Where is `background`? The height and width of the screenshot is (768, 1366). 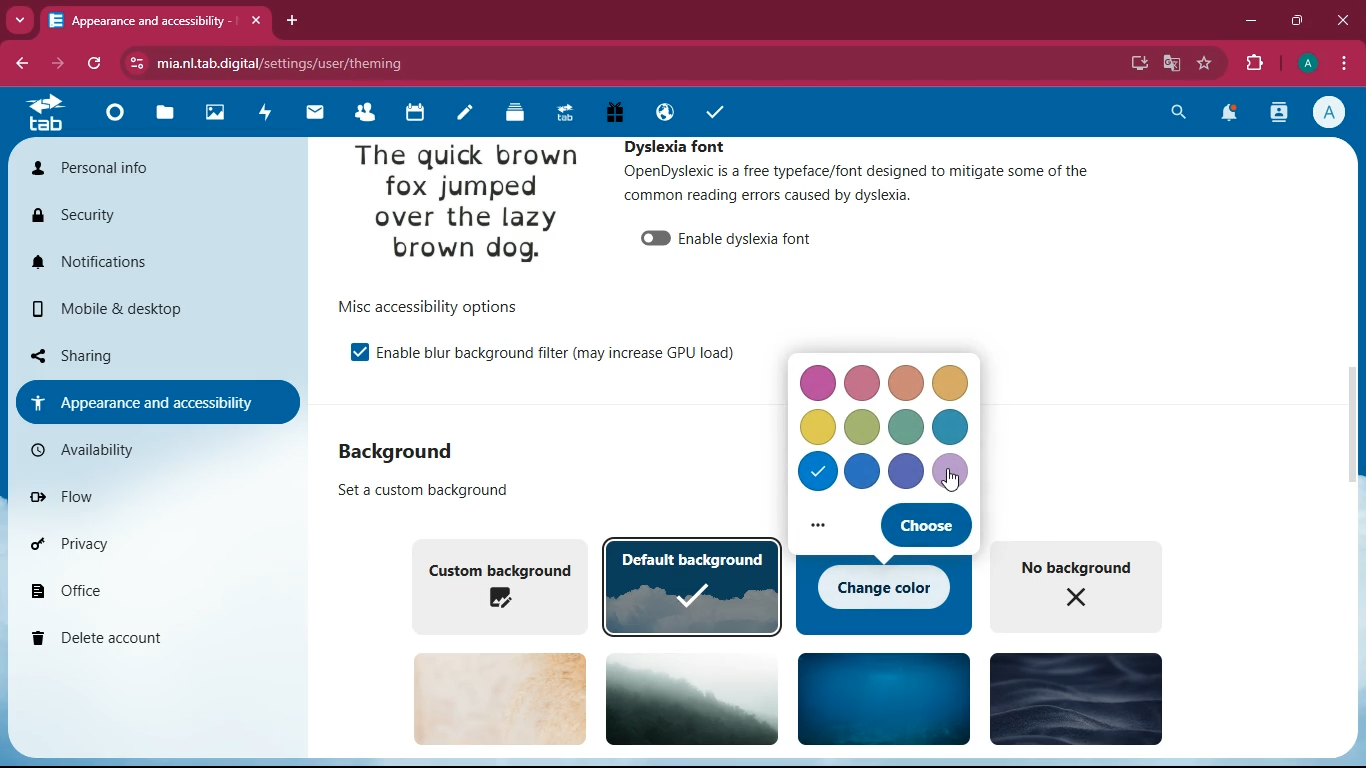
background is located at coordinates (1074, 697).